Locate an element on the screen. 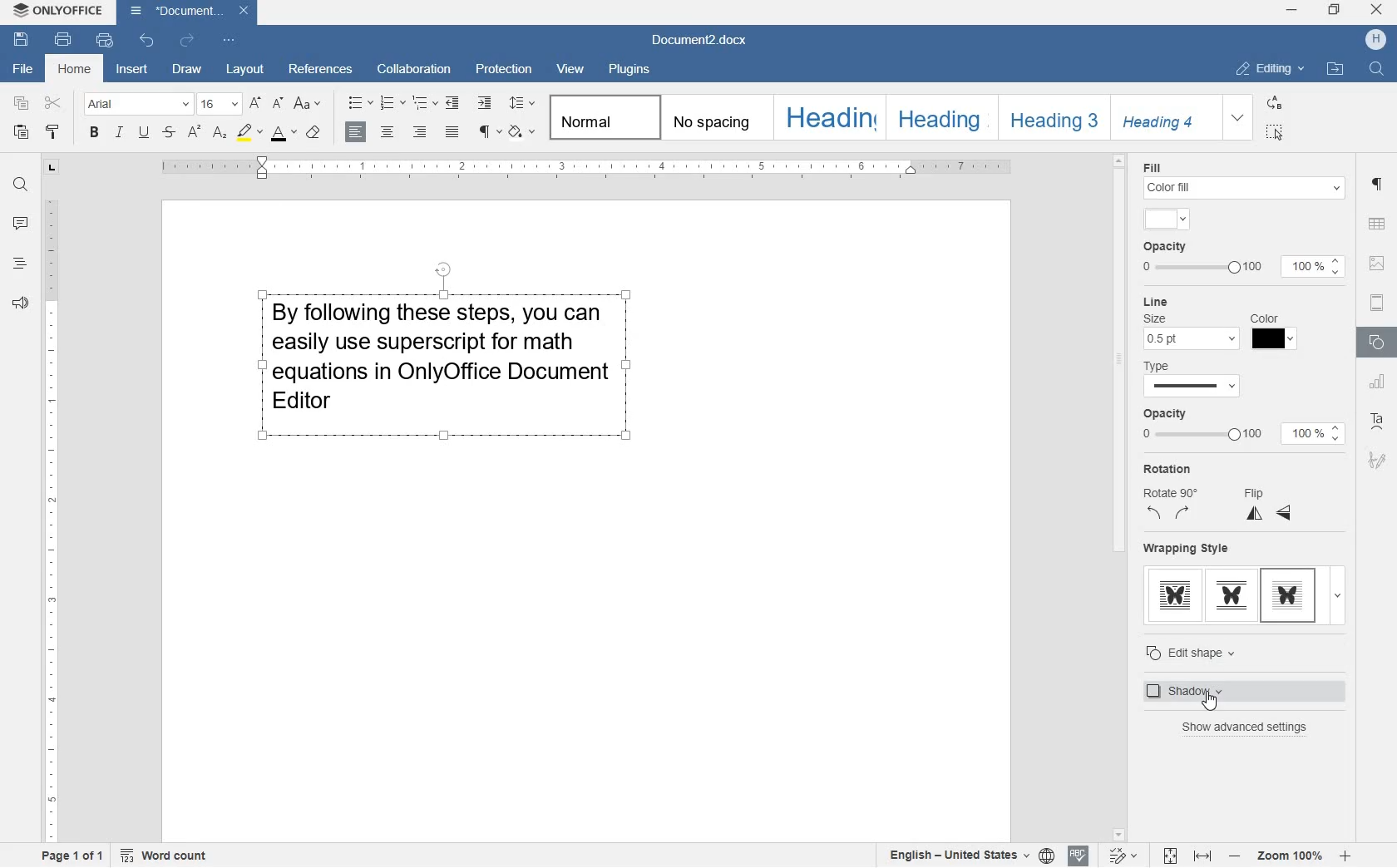 The image size is (1397, 868). expand is located at coordinates (1338, 596).